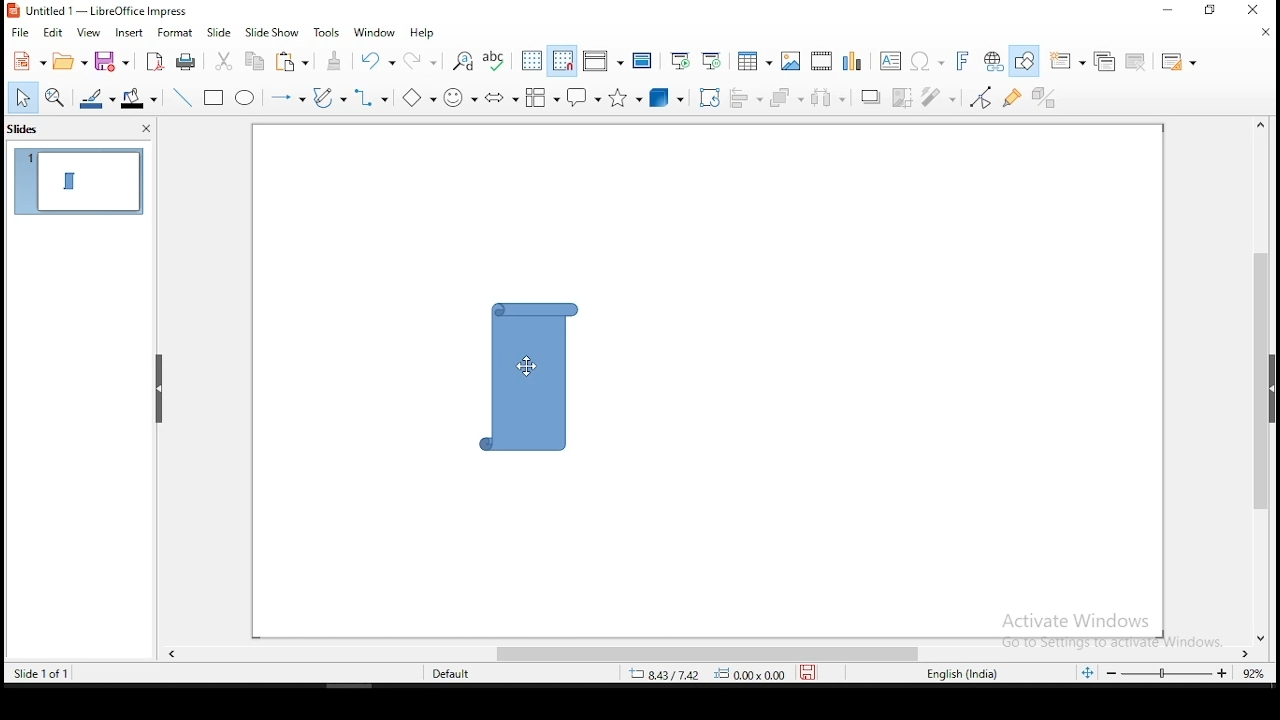 This screenshot has height=720, width=1280. Describe the element at coordinates (562, 62) in the screenshot. I see `snap to grid` at that location.